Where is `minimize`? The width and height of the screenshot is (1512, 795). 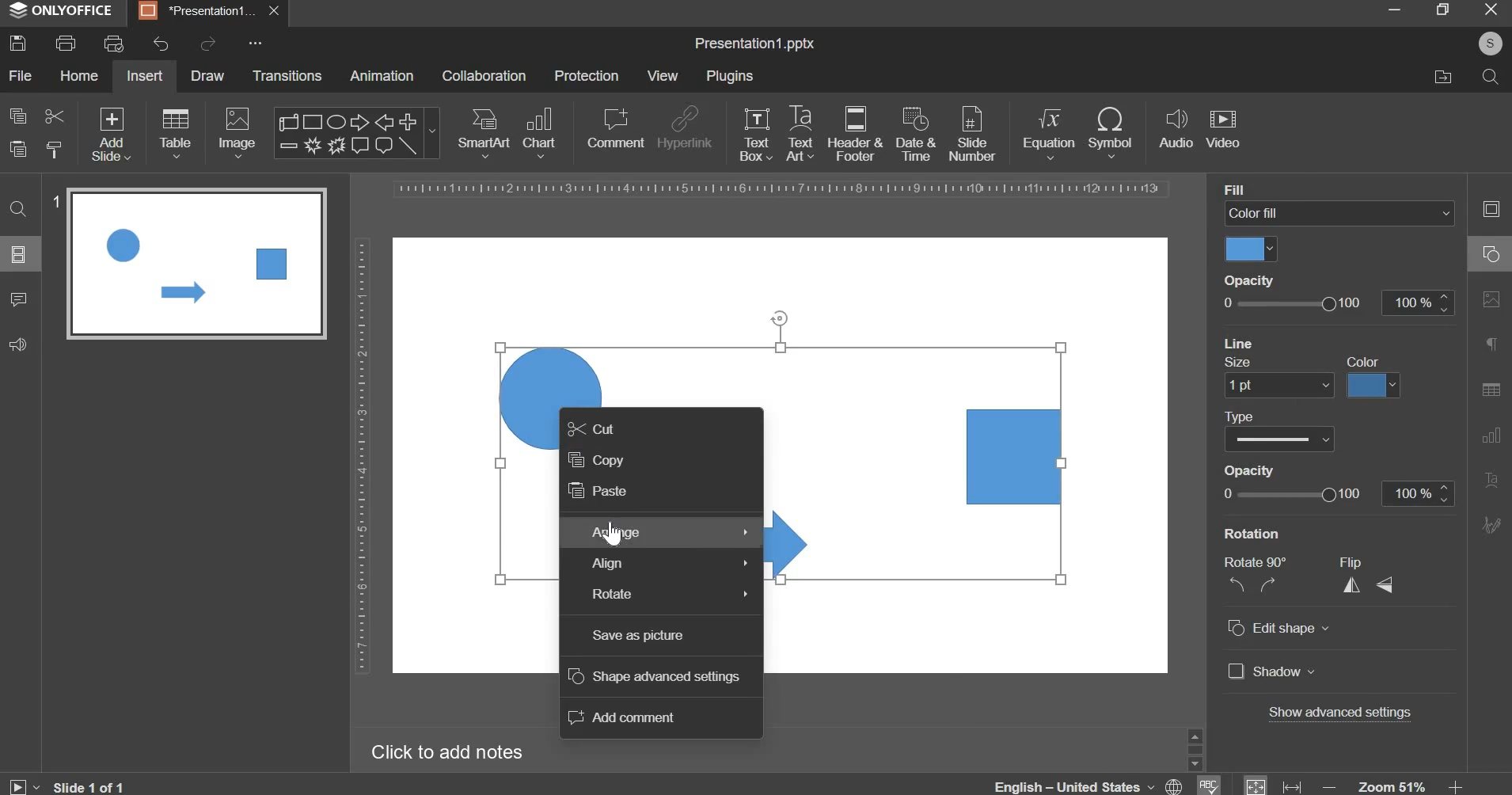
minimize is located at coordinates (1393, 9).